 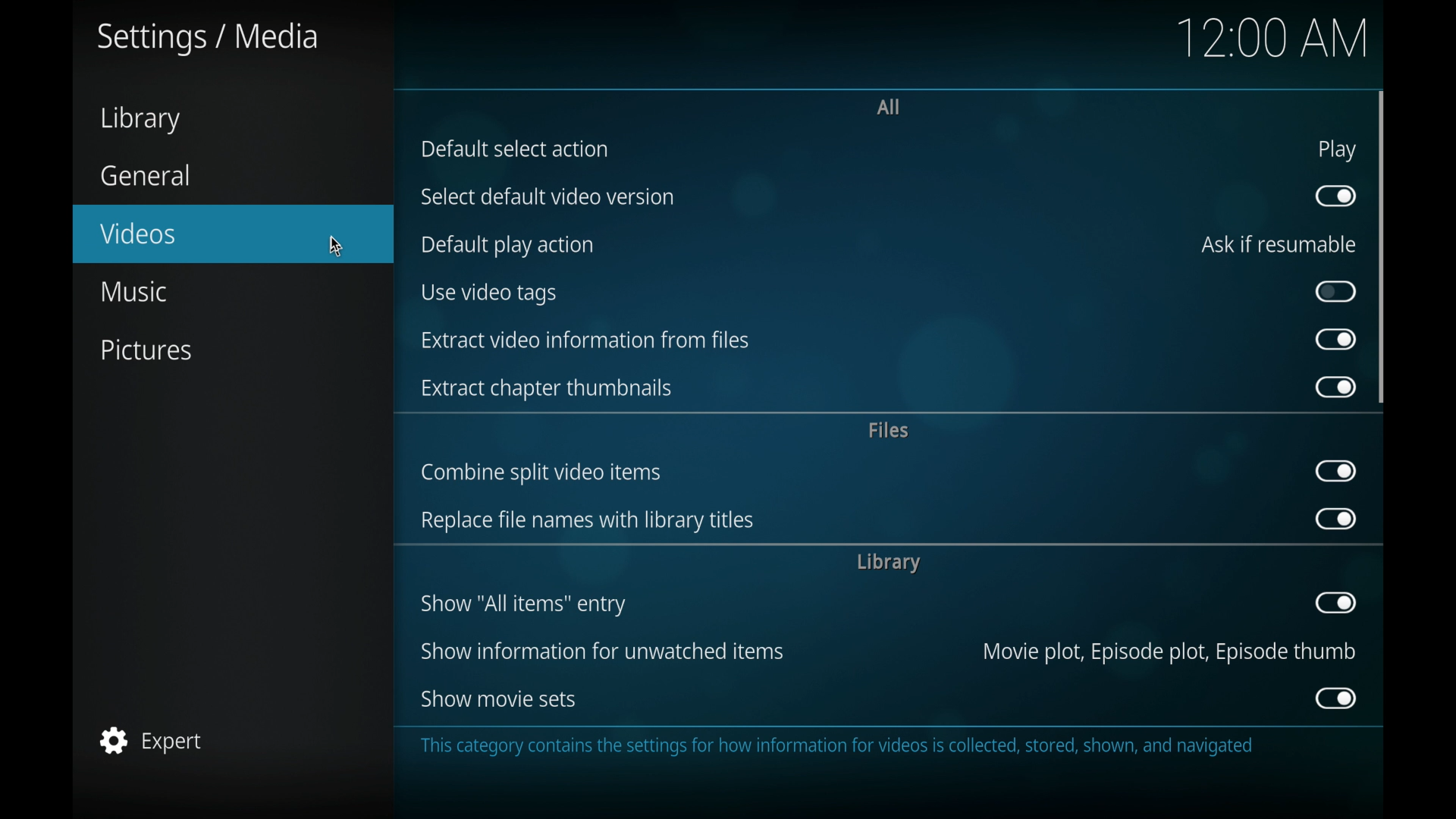 What do you see at coordinates (515, 149) in the screenshot?
I see `default select action` at bounding box center [515, 149].